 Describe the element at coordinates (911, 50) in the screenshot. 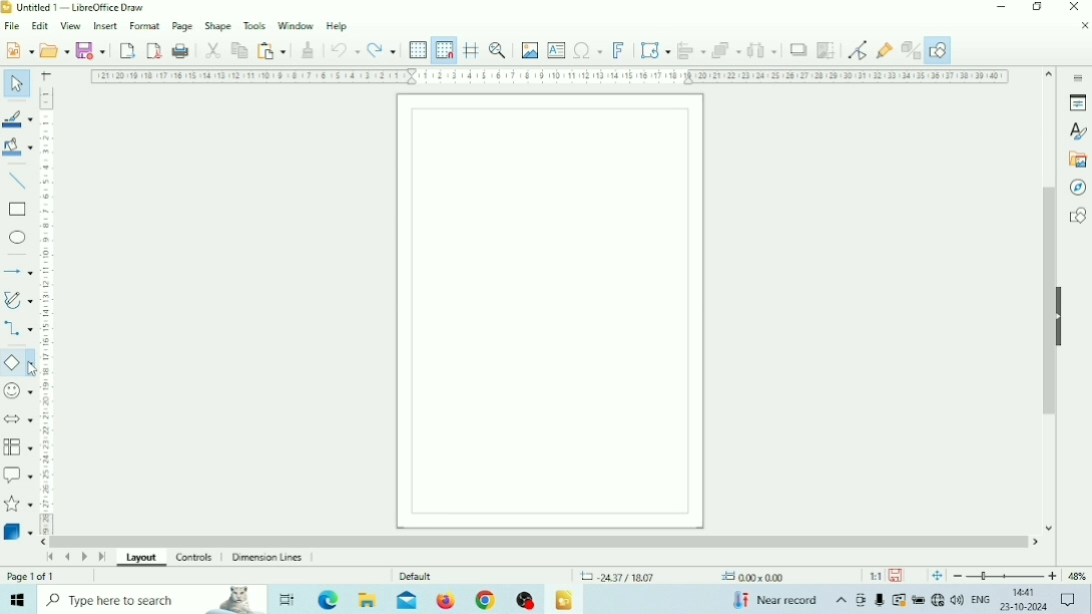

I see `Toggle Extrusion` at that location.